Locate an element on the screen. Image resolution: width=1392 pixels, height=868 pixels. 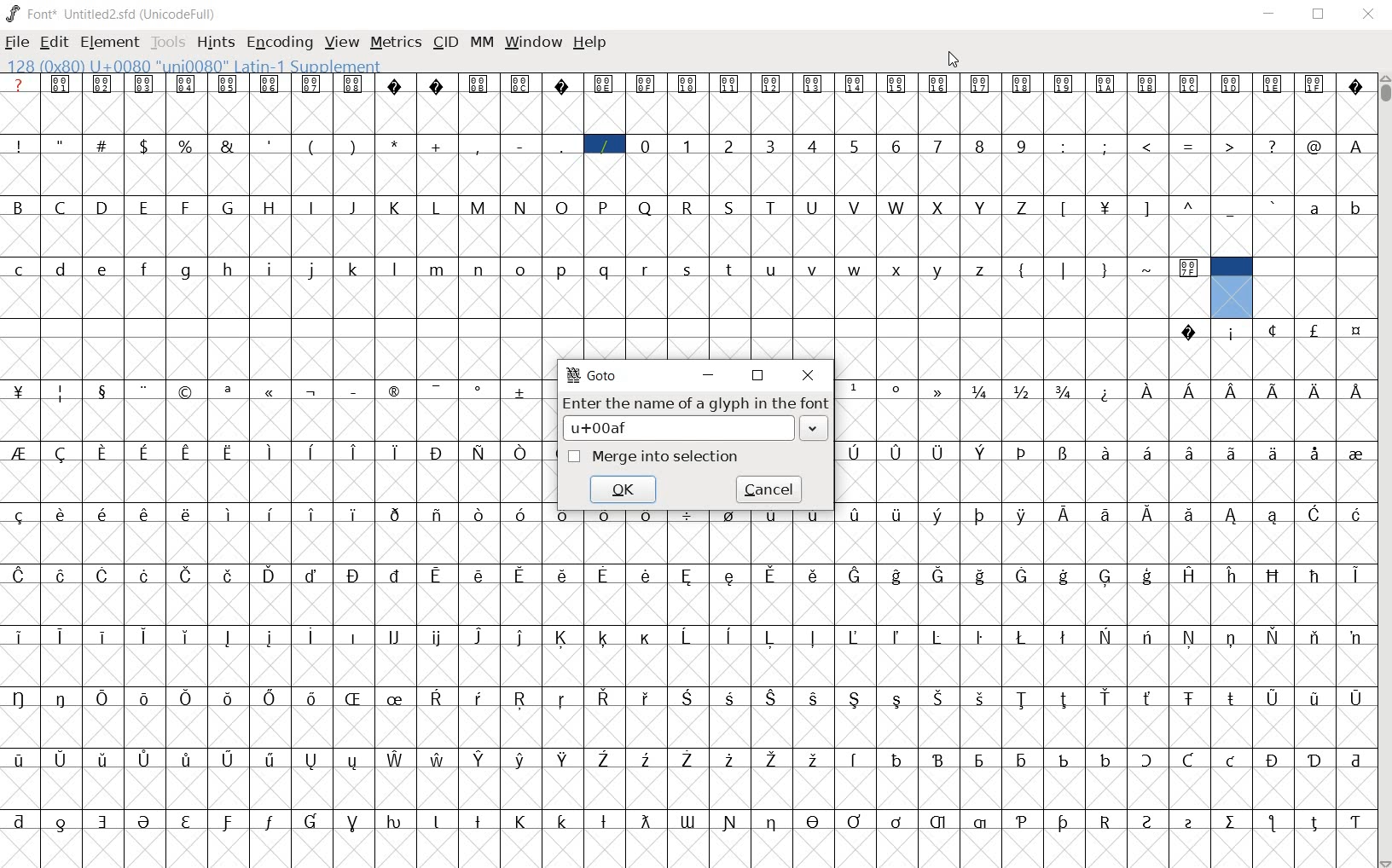
Symbol is located at coordinates (644, 820).